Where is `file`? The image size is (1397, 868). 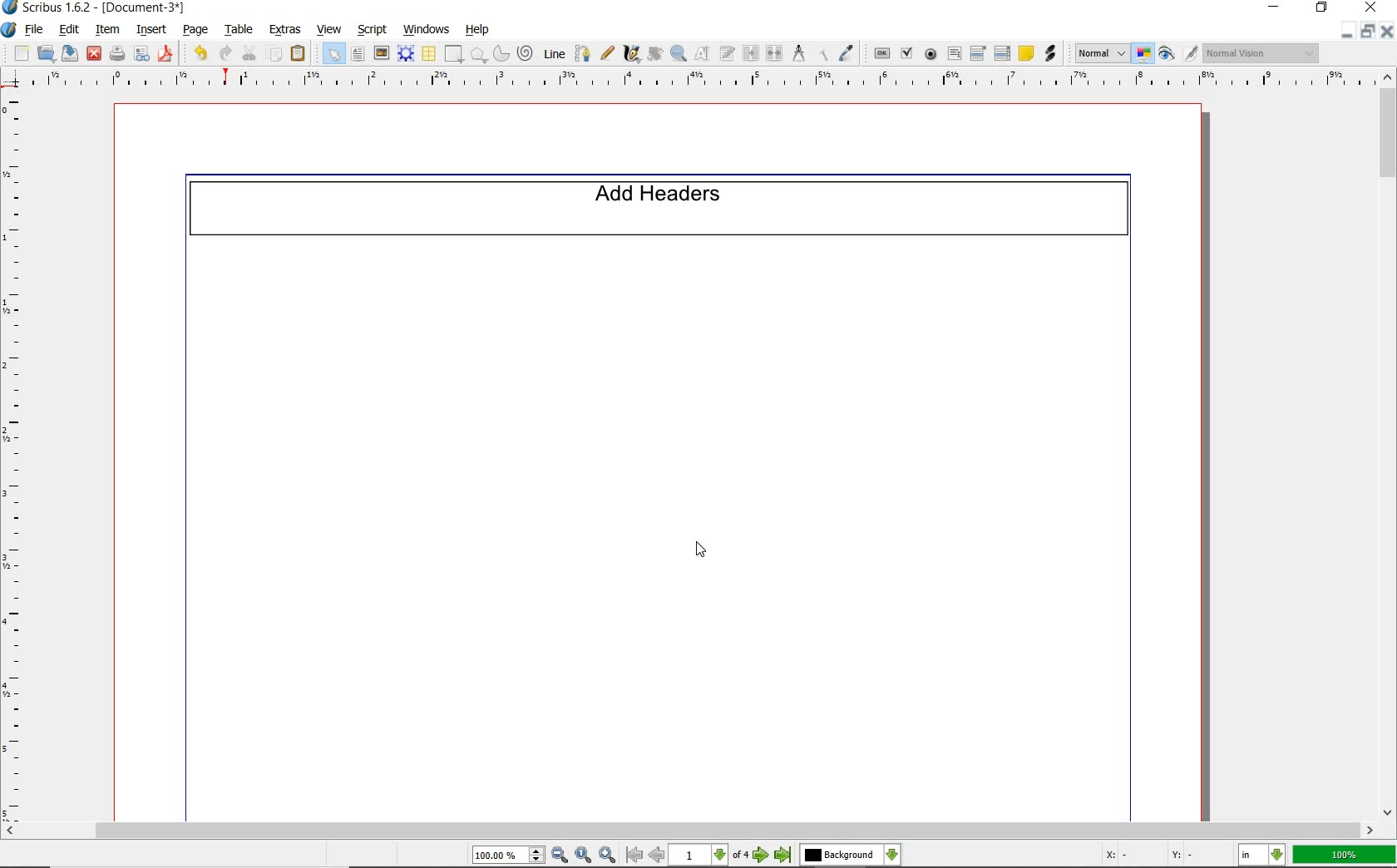 file is located at coordinates (36, 30).